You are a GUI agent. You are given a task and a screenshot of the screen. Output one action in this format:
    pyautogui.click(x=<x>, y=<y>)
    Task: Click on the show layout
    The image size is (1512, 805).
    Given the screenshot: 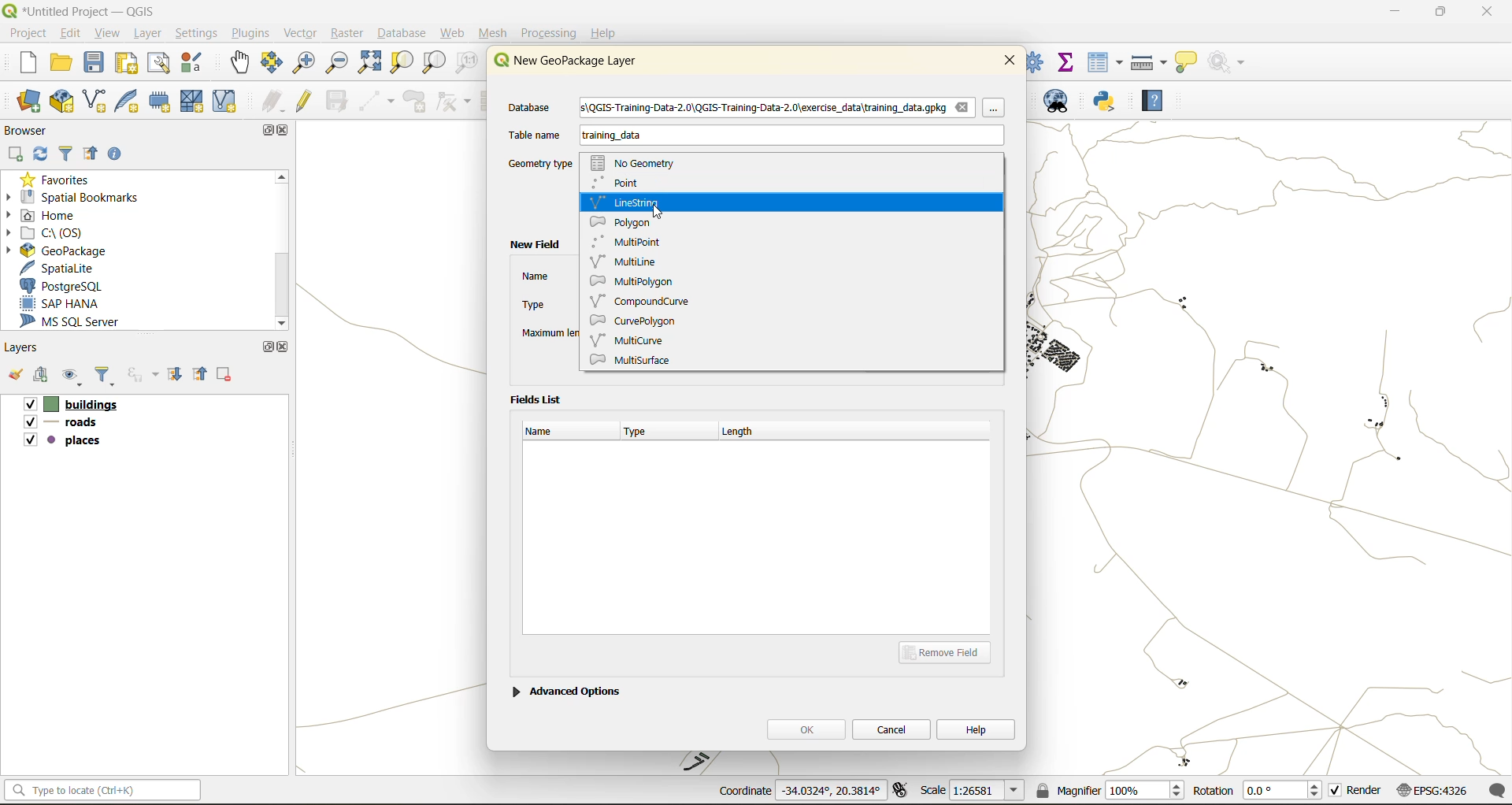 What is the action you would take?
    pyautogui.click(x=160, y=63)
    